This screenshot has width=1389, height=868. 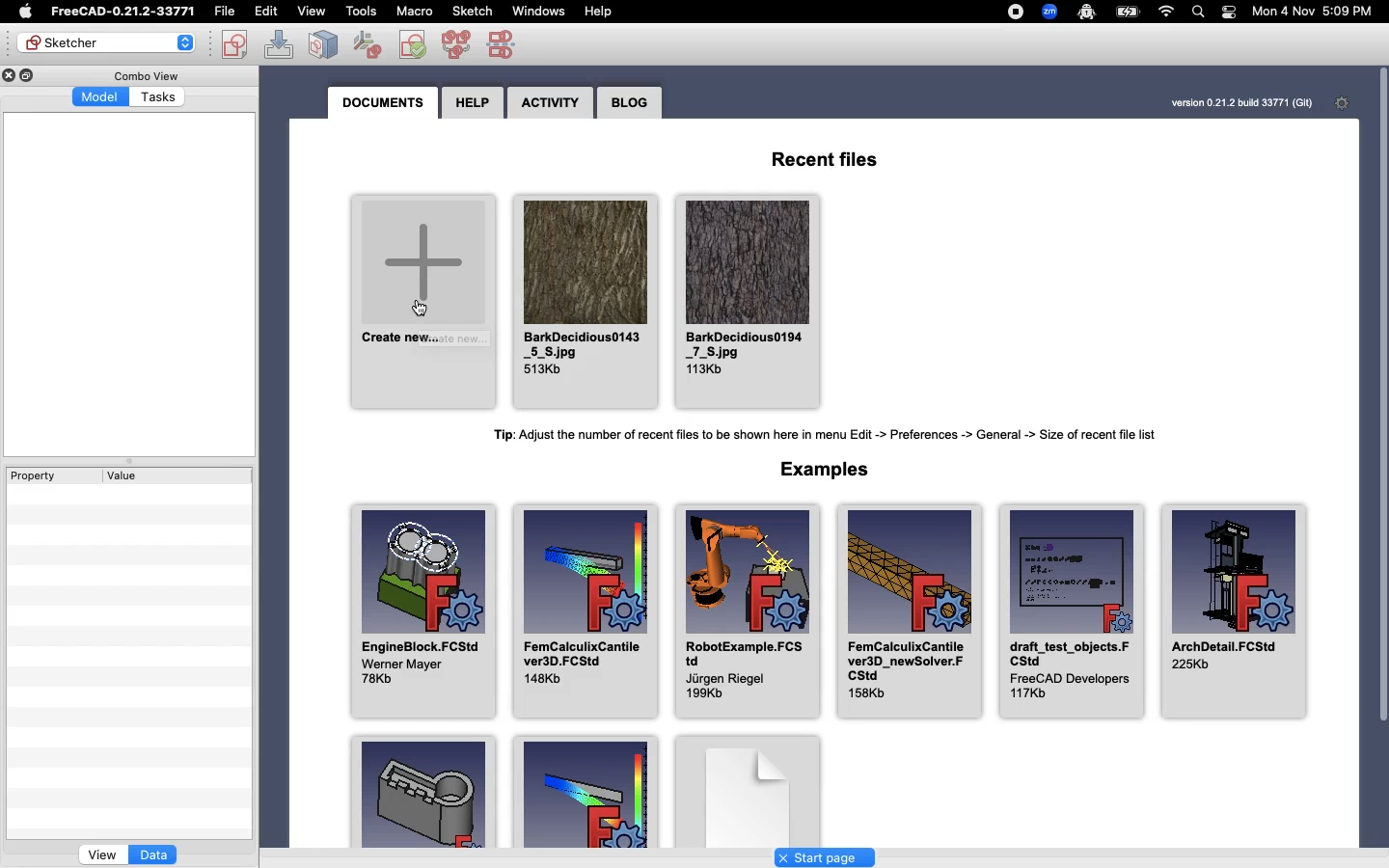 What do you see at coordinates (507, 45) in the screenshot?
I see `Convert to construction geometry` at bounding box center [507, 45].